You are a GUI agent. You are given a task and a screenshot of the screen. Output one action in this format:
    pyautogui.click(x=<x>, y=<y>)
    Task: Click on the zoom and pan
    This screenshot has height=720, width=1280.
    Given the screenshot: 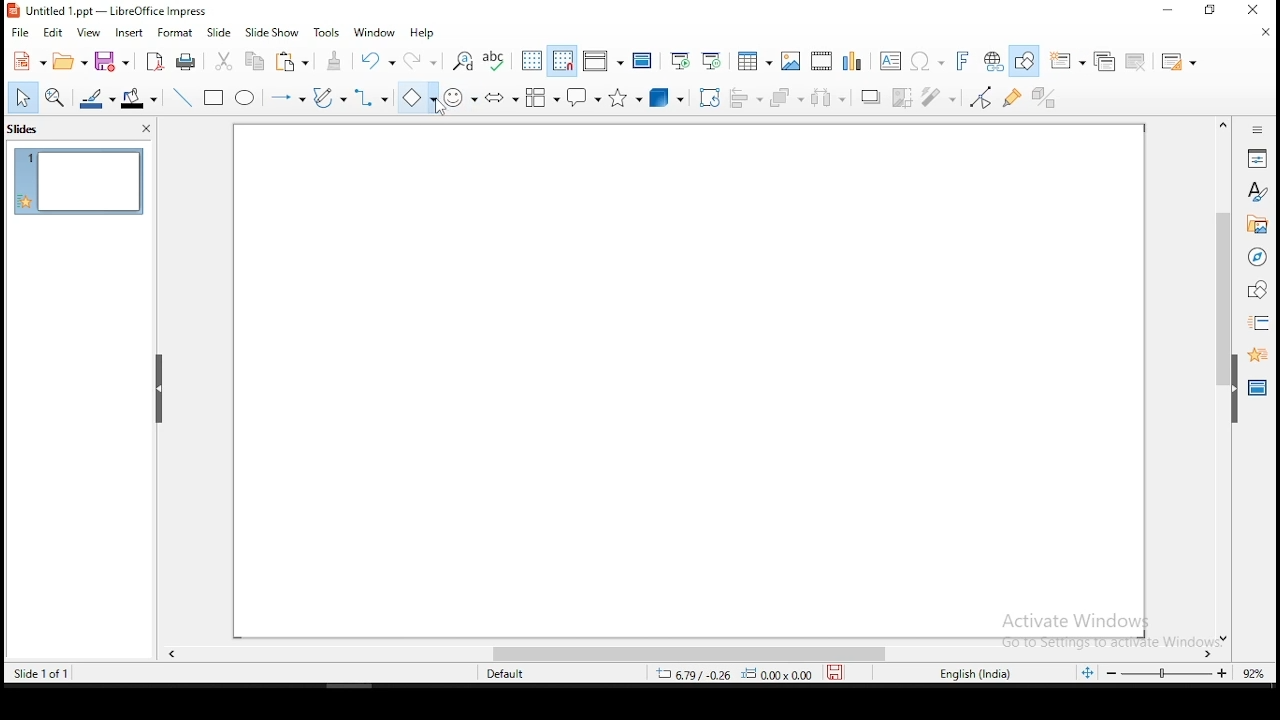 What is the action you would take?
    pyautogui.click(x=58, y=97)
    